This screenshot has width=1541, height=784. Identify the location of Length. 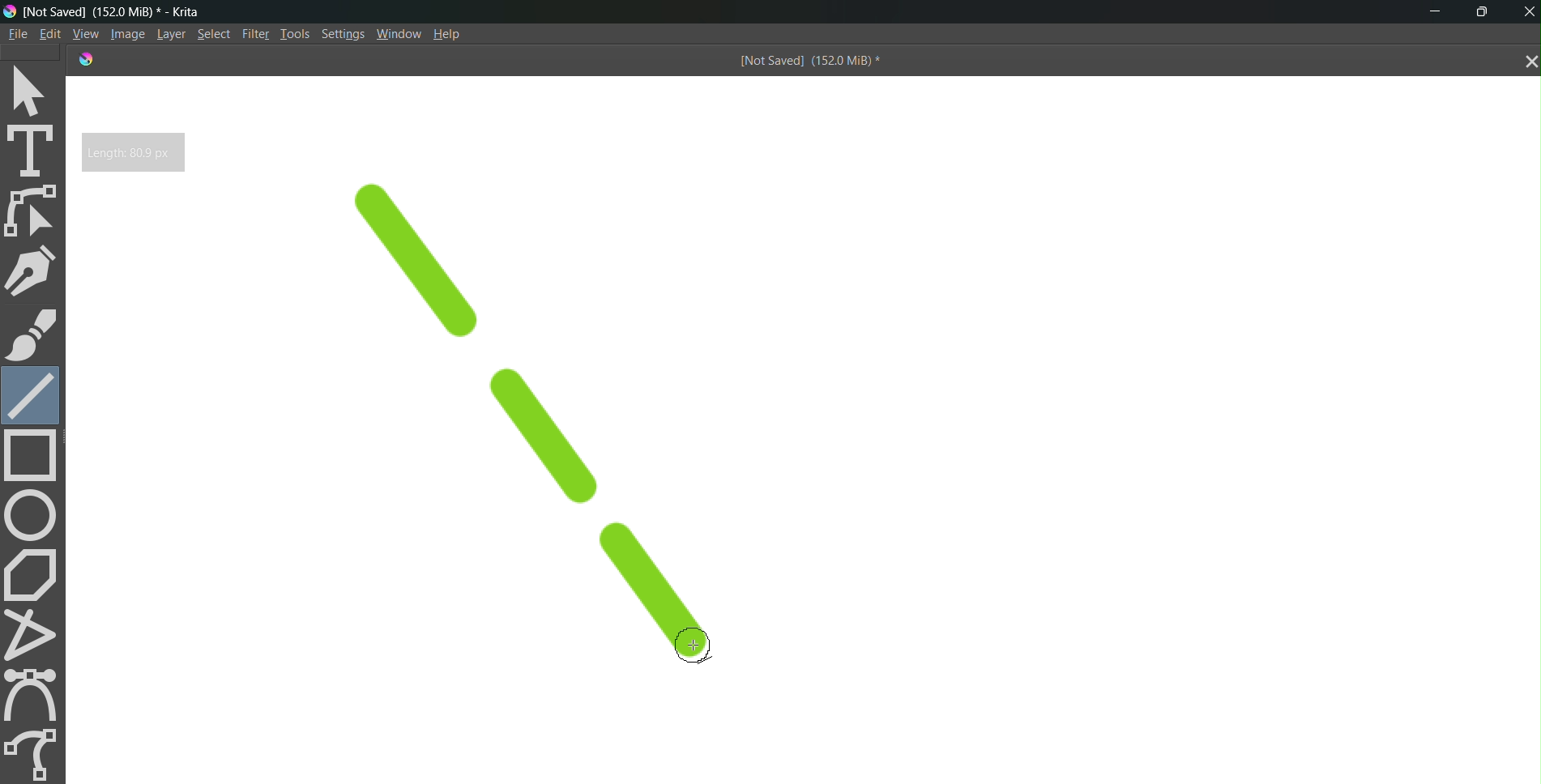
(142, 153).